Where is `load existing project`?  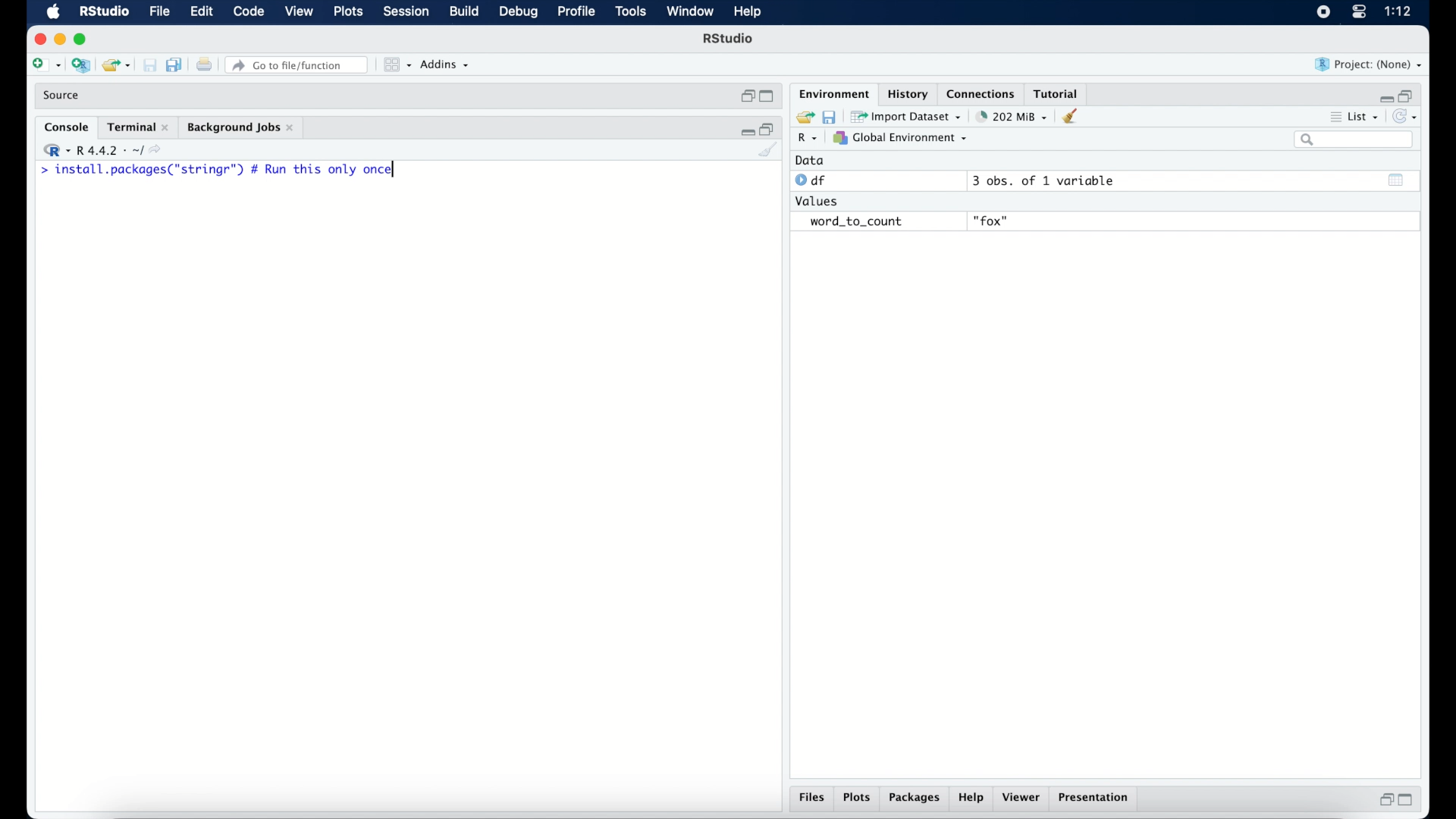 load existing project is located at coordinates (119, 66).